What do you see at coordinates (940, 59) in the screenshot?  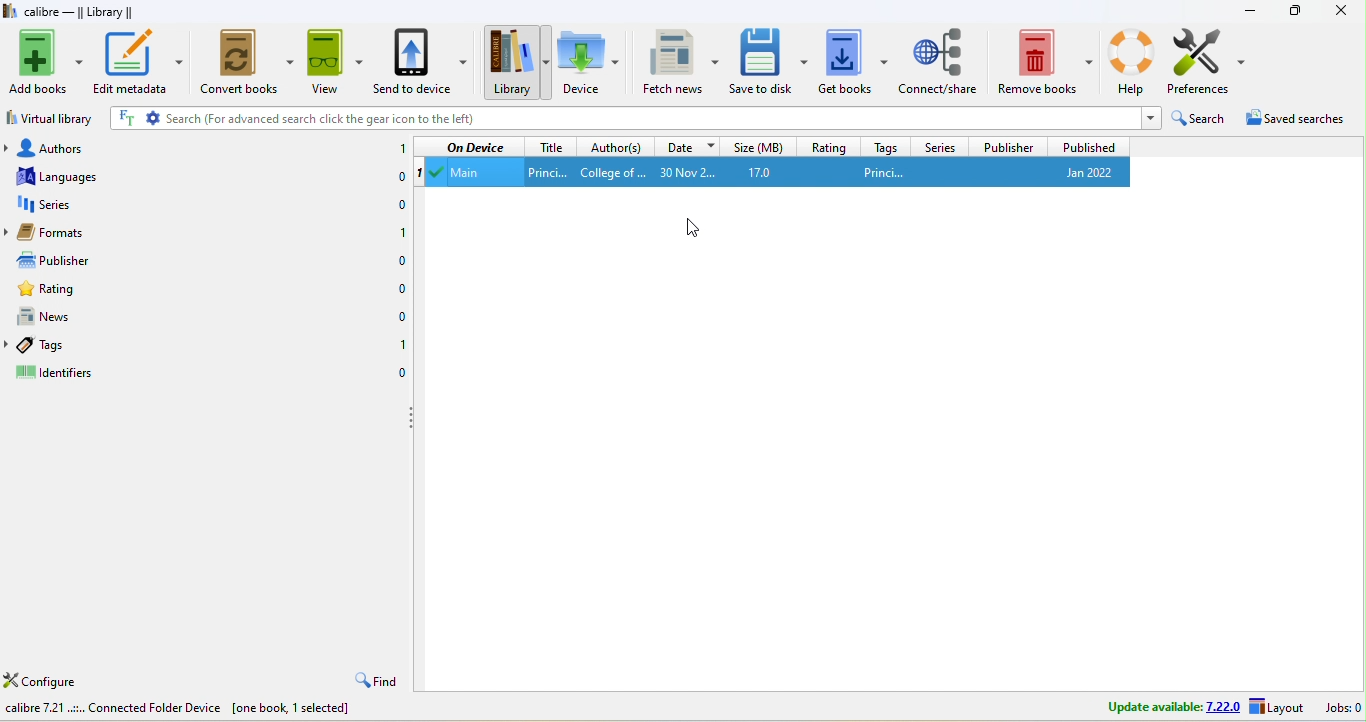 I see `connect/share` at bounding box center [940, 59].